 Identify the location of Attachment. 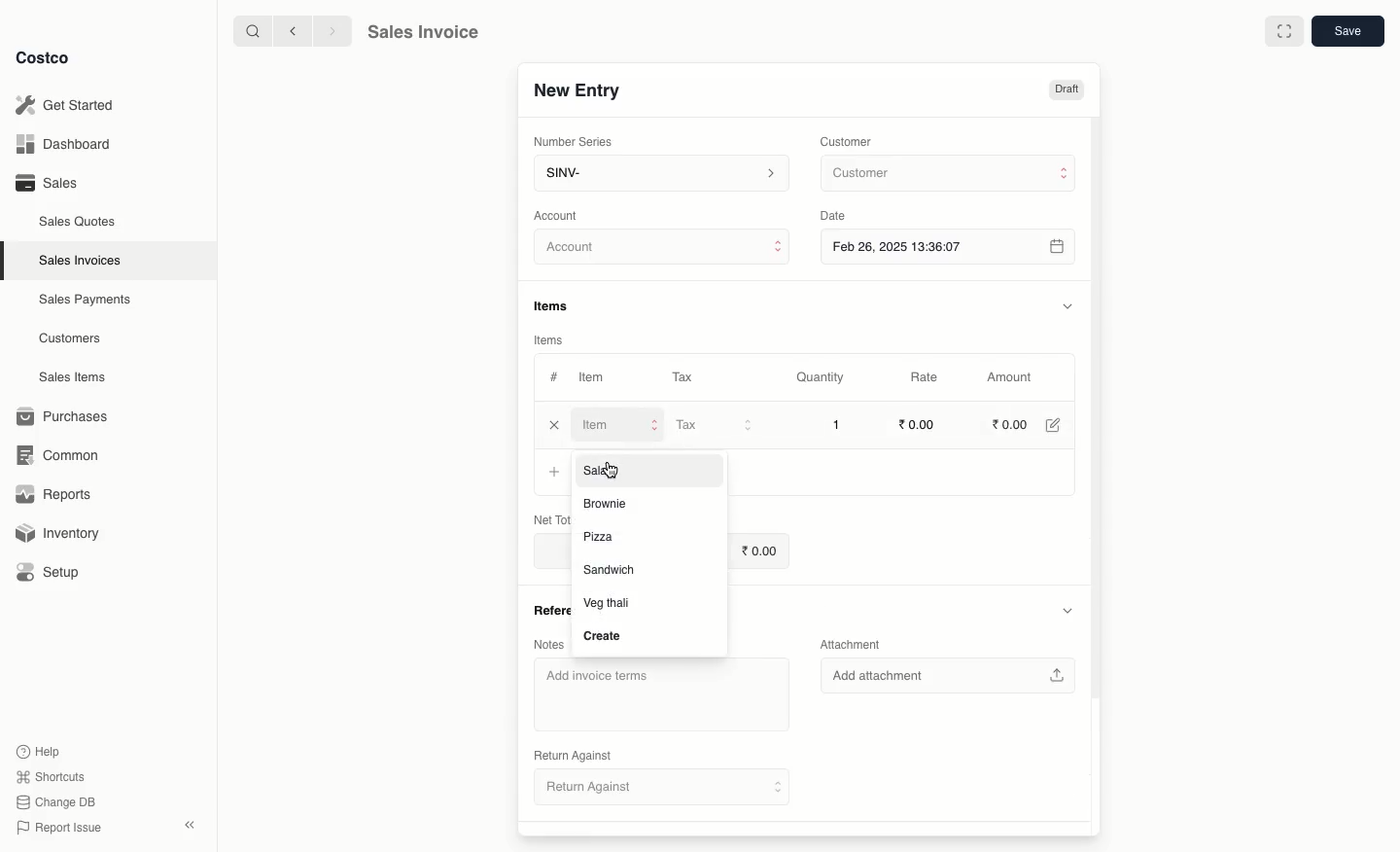
(848, 644).